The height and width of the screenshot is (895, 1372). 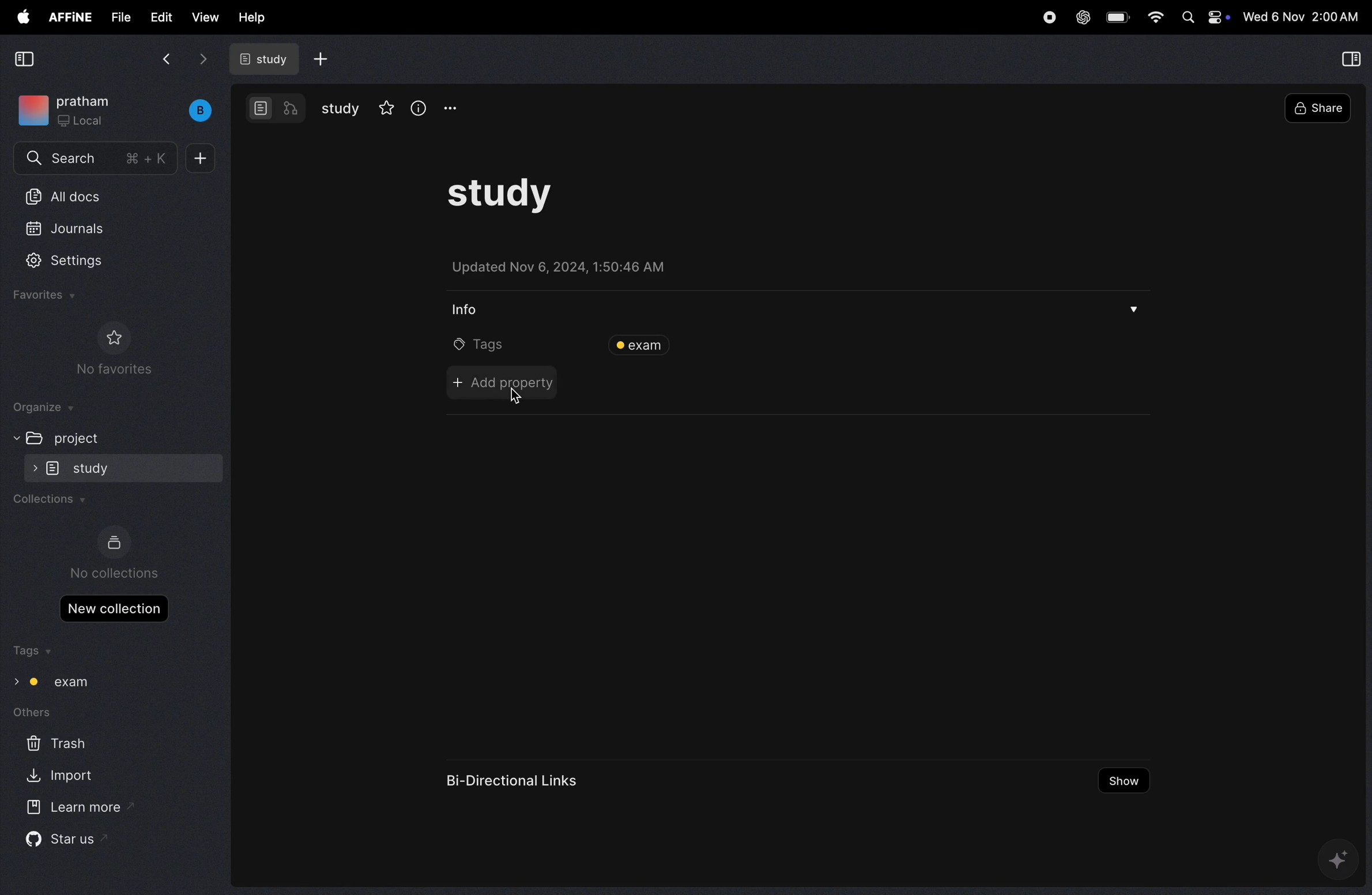 What do you see at coordinates (1130, 309) in the screenshot?
I see `drop menu` at bounding box center [1130, 309].